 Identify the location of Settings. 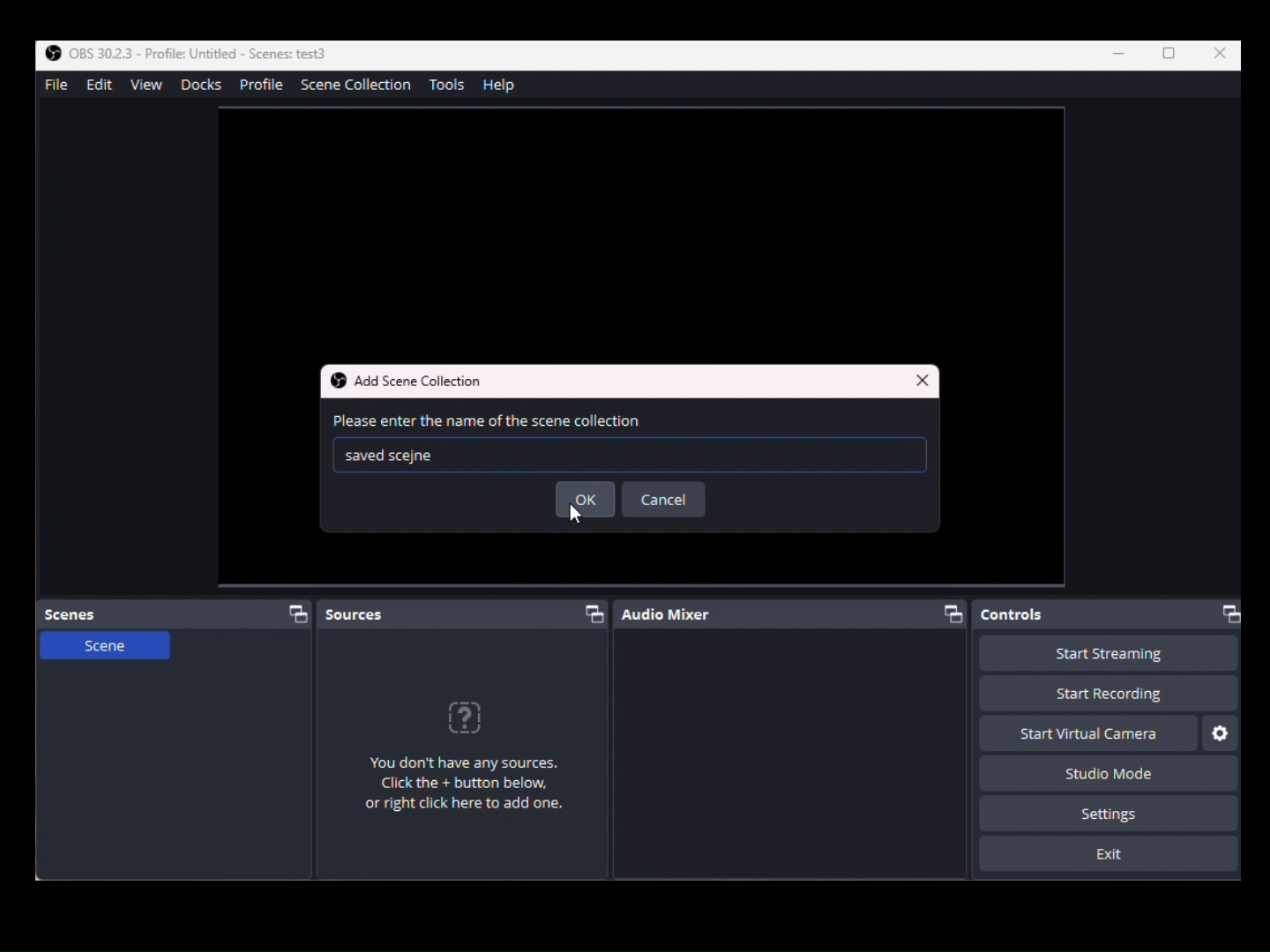
(1109, 814).